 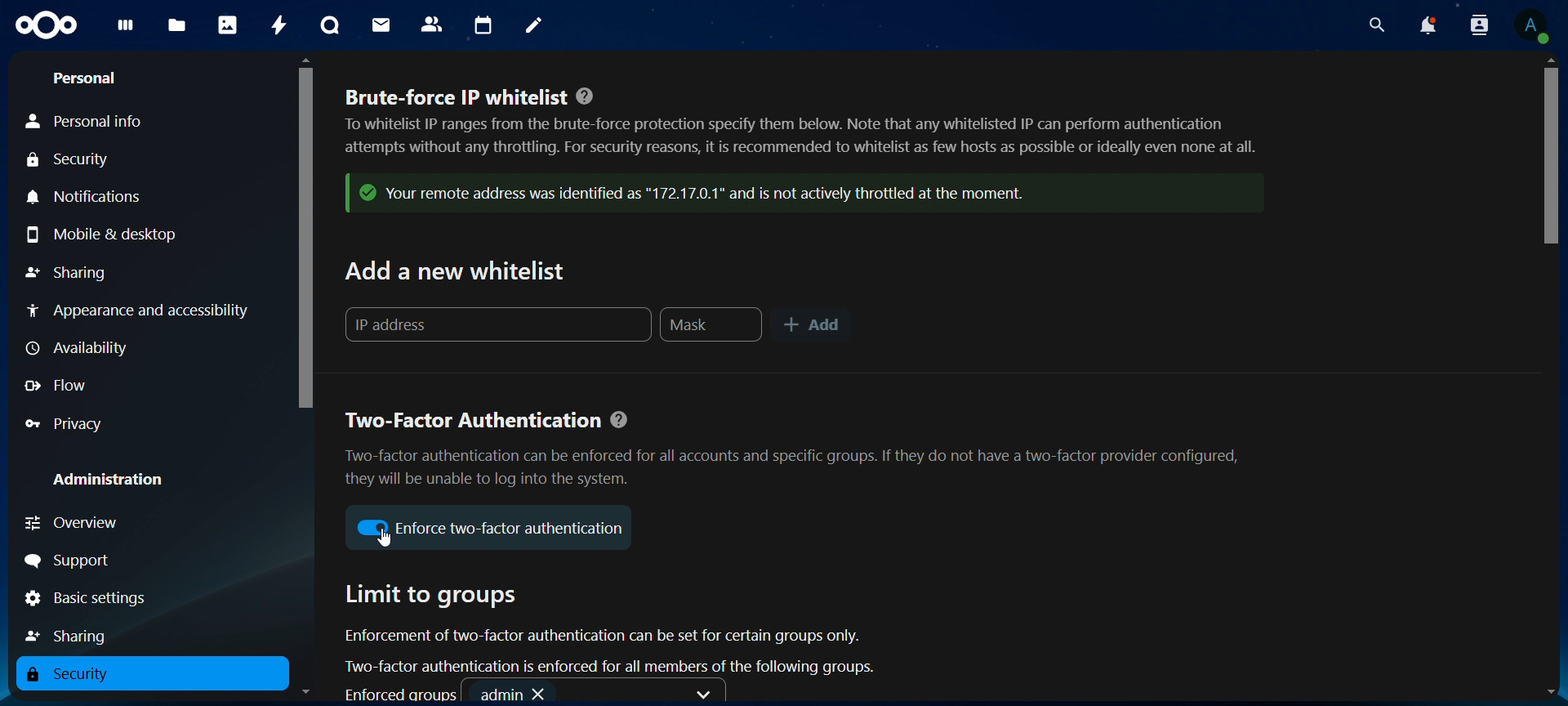 I want to click on security, so click(x=69, y=673).